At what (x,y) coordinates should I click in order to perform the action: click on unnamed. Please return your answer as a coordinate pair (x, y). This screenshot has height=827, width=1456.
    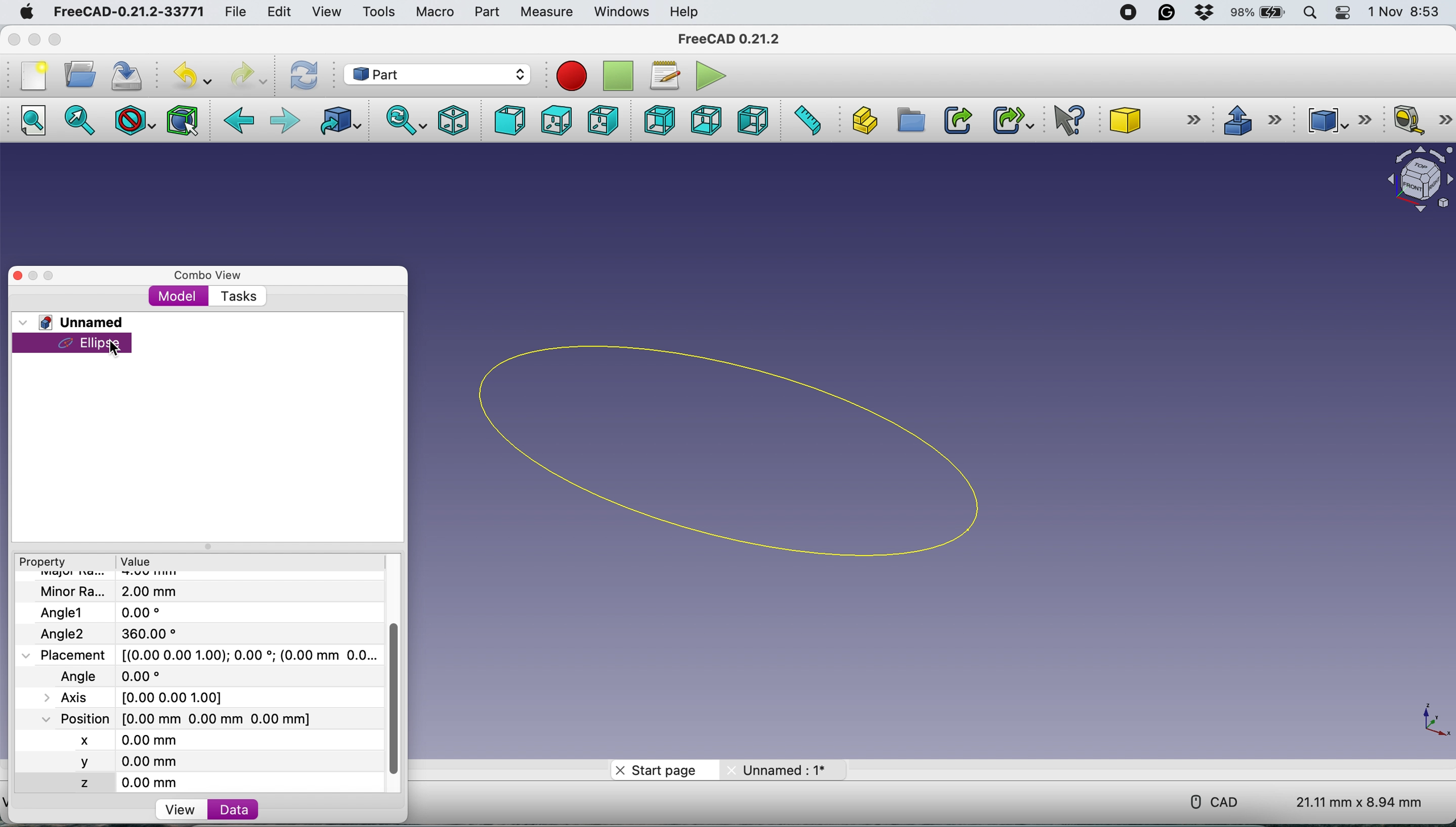
    Looking at the image, I should click on (779, 770).